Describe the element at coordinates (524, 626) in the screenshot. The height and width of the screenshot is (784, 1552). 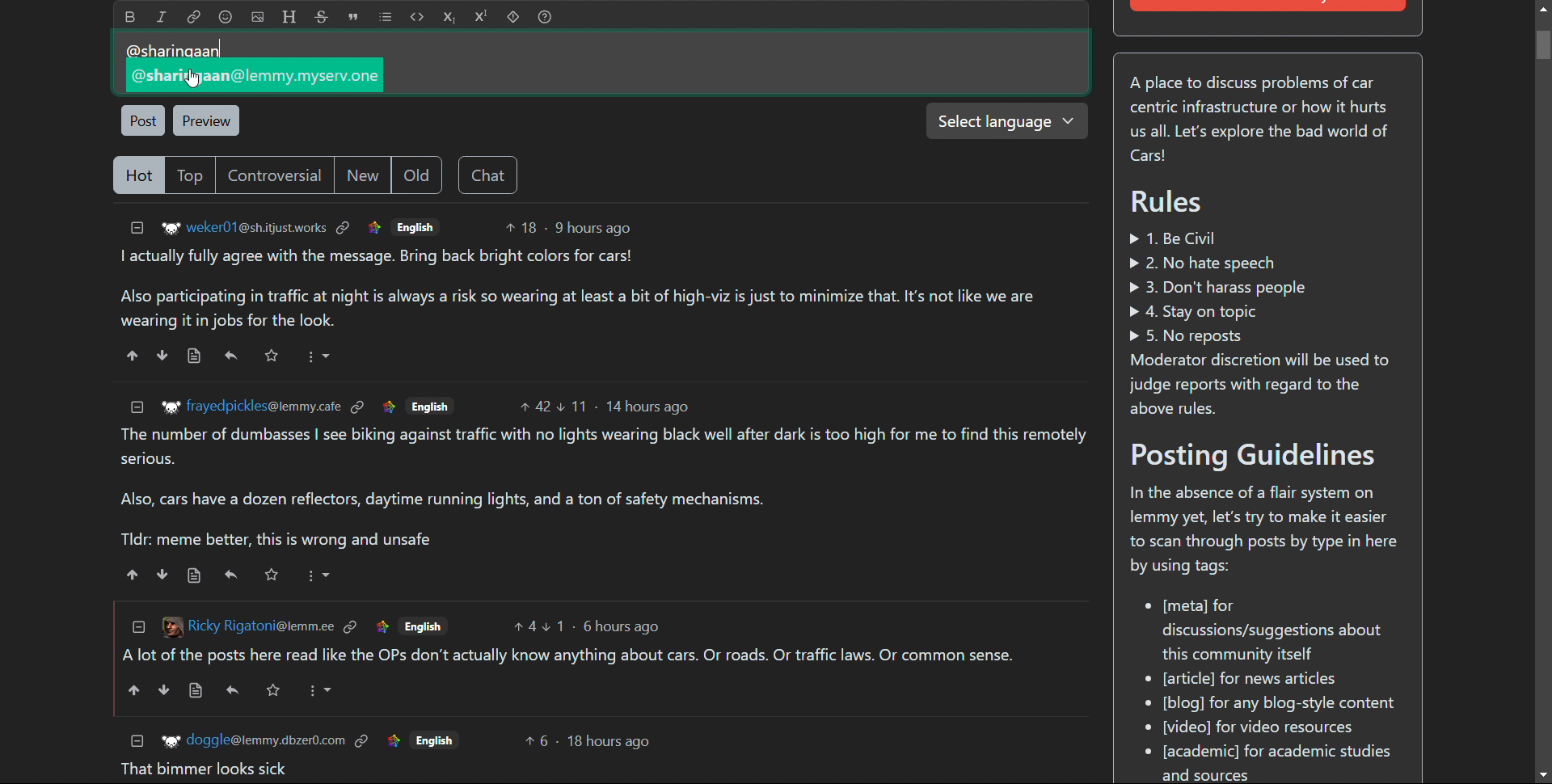
I see `upvotes 4` at that location.